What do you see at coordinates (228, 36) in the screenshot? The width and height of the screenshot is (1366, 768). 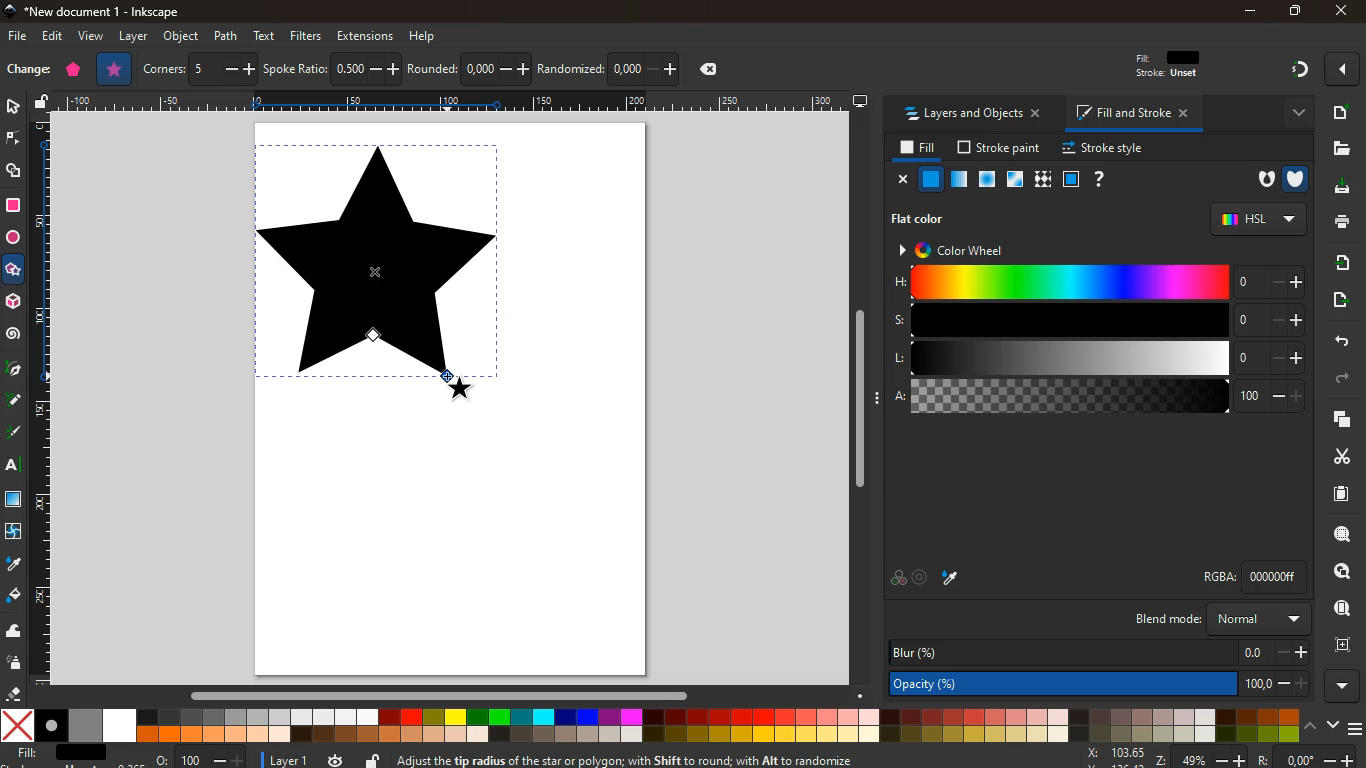 I see `path` at bounding box center [228, 36].